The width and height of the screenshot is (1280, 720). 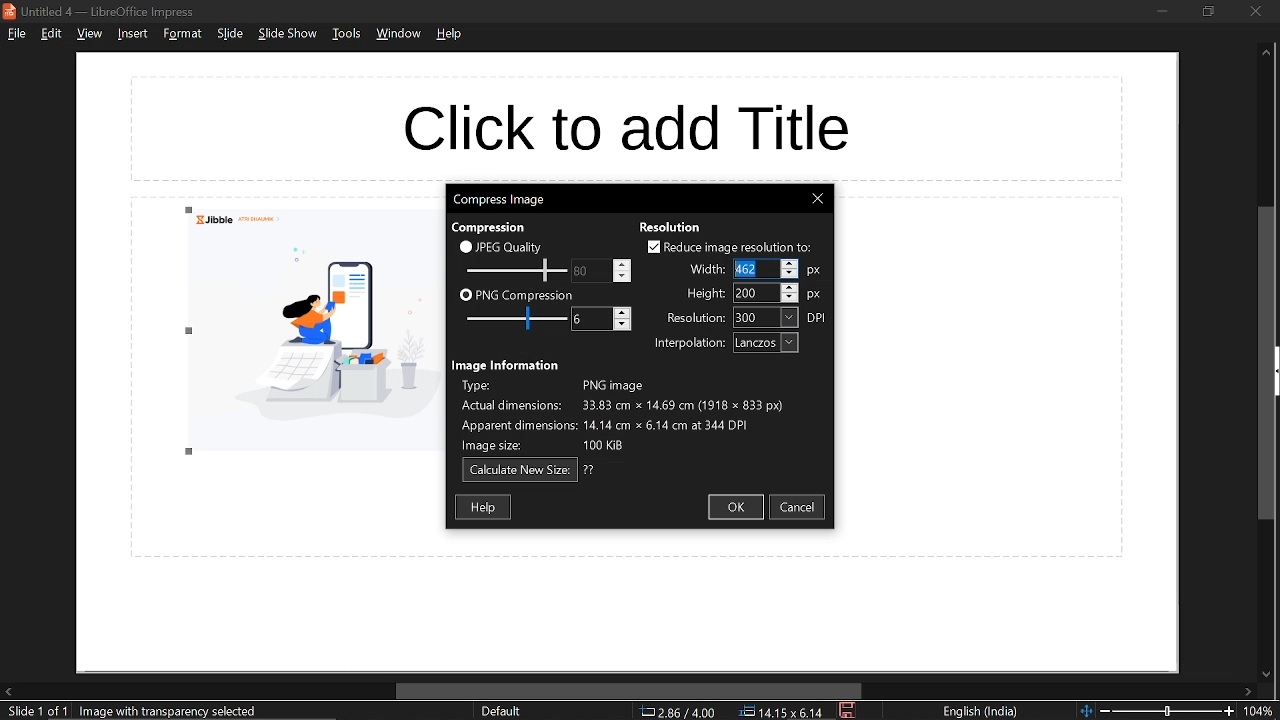 What do you see at coordinates (516, 271) in the screenshot?
I see `Change JPEG quality ` at bounding box center [516, 271].